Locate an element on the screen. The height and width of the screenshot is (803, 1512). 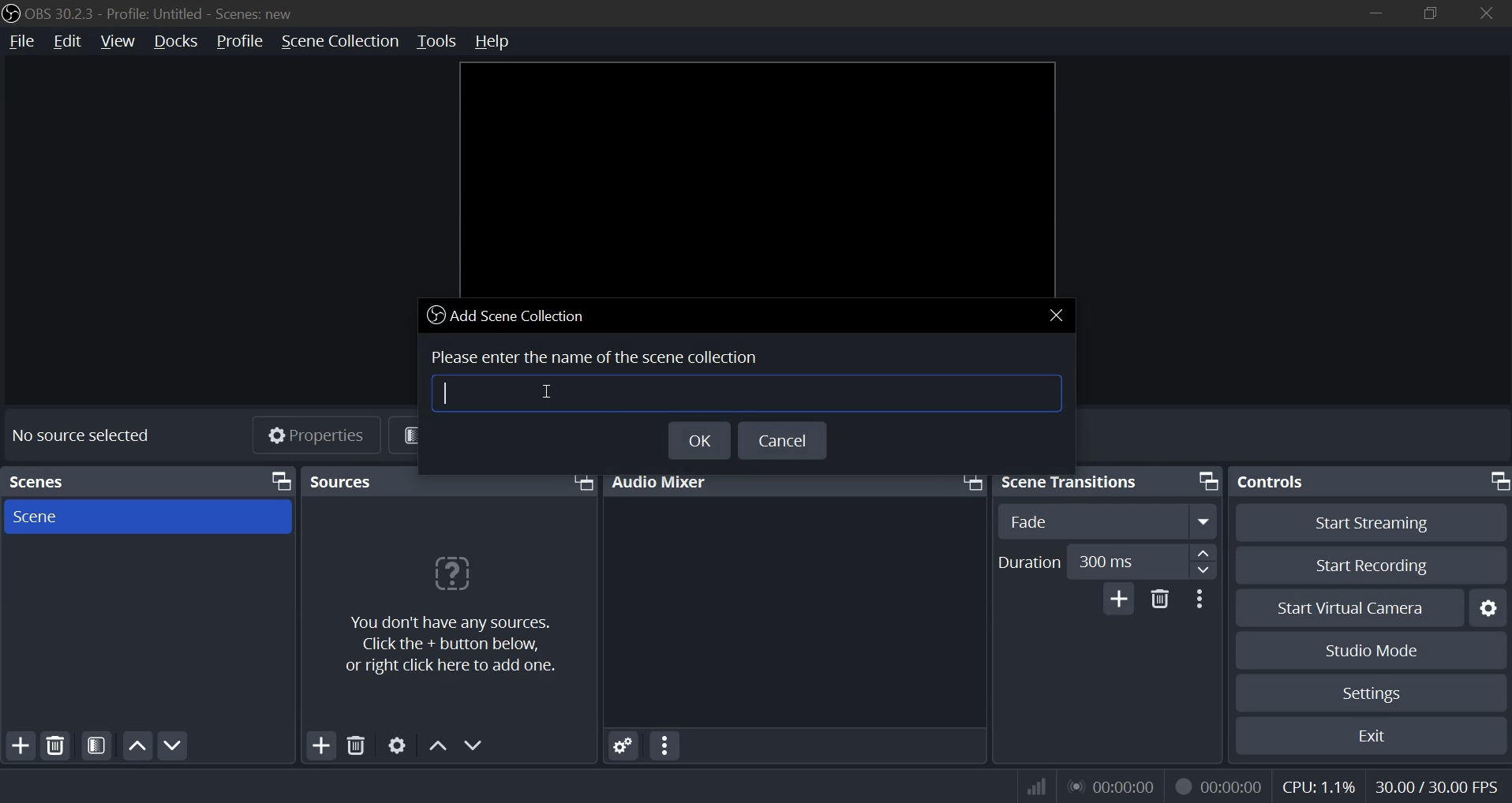
add is located at coordinates (1119, 599).